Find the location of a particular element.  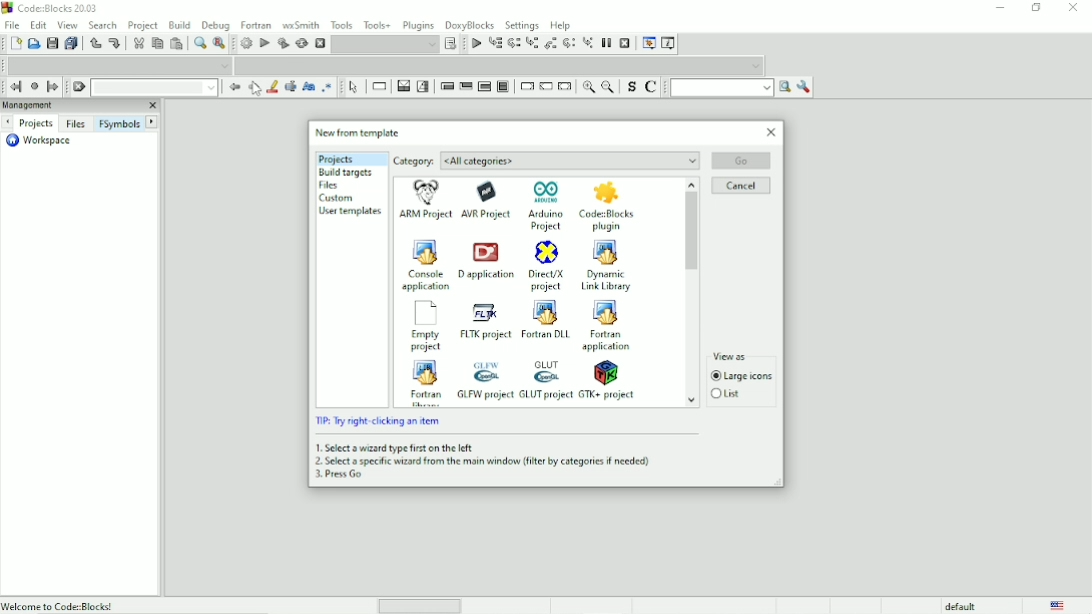

Drop down is located at coordinates (154, 87).